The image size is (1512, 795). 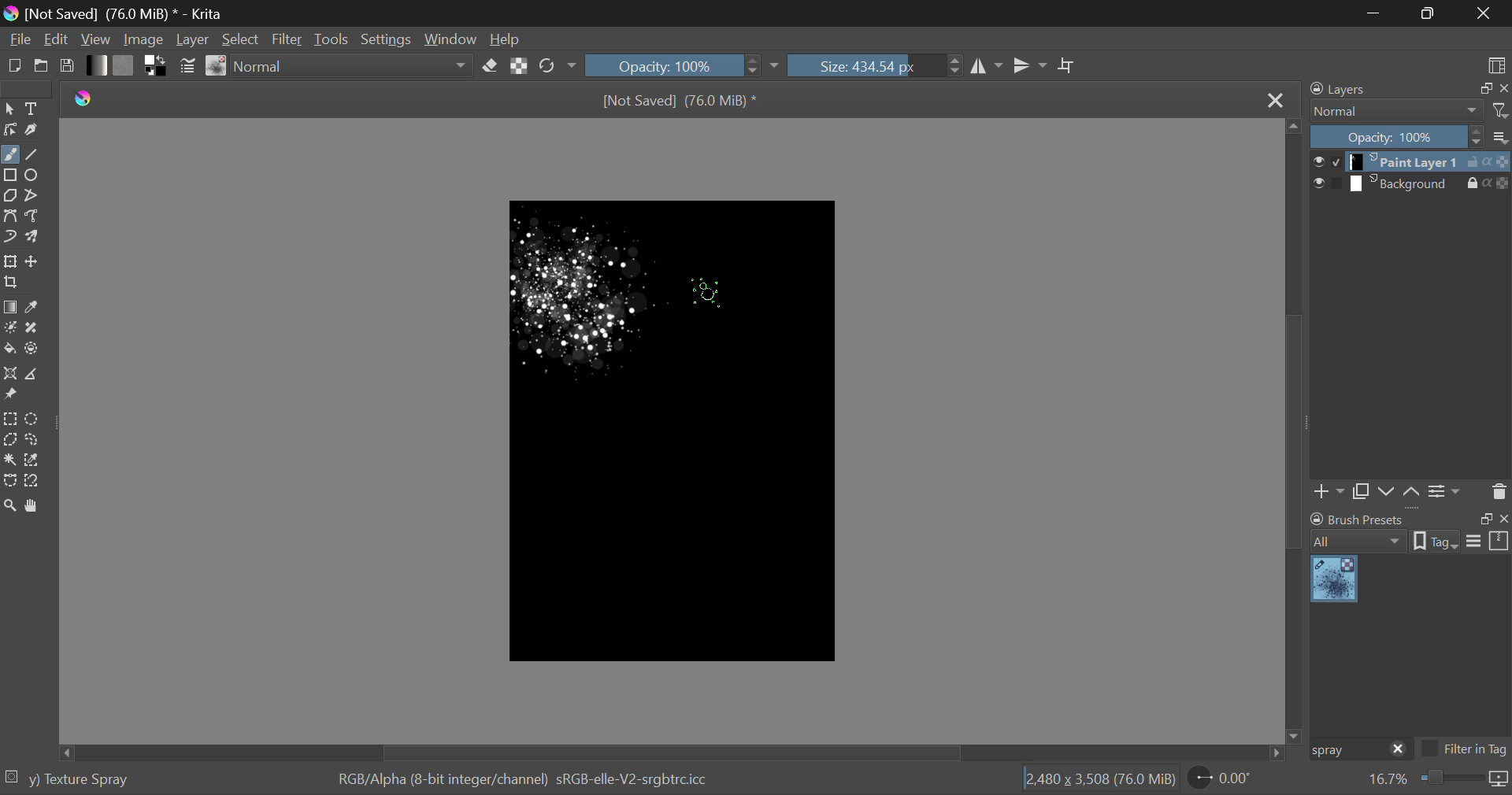 What do you see at coordinates (14, 65) in the screenshot?
I see `New` at bounding box center [14, 65].